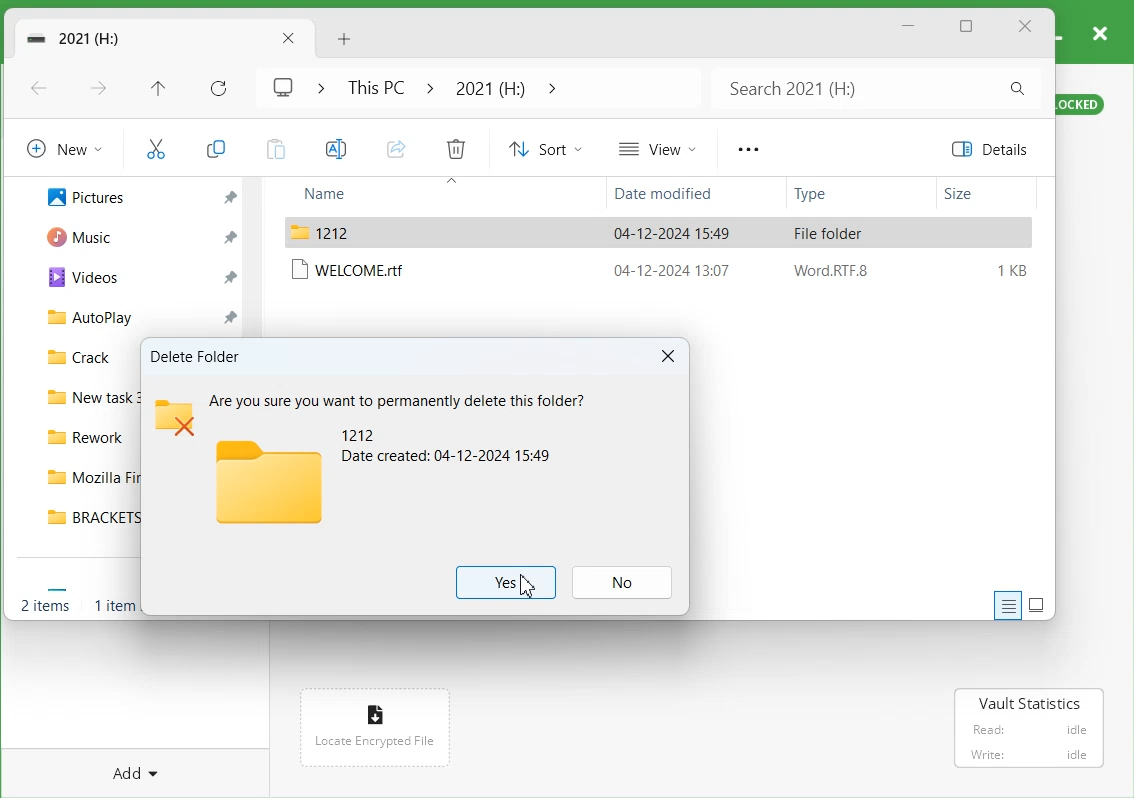 The width and height of the screenshot is (1134, 798). Describe the element at coordinates (229, 275) in the screenshot. I see `Pin a file` at that location.